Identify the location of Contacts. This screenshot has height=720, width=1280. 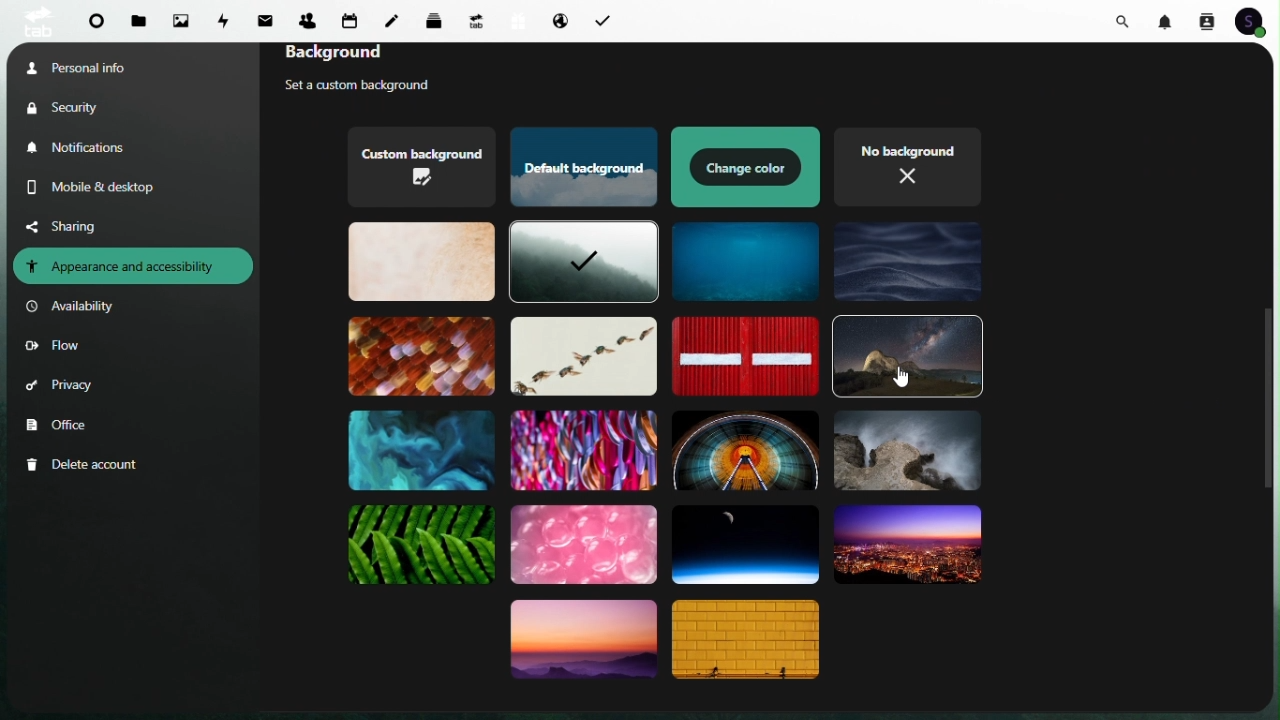
(1206, 20).